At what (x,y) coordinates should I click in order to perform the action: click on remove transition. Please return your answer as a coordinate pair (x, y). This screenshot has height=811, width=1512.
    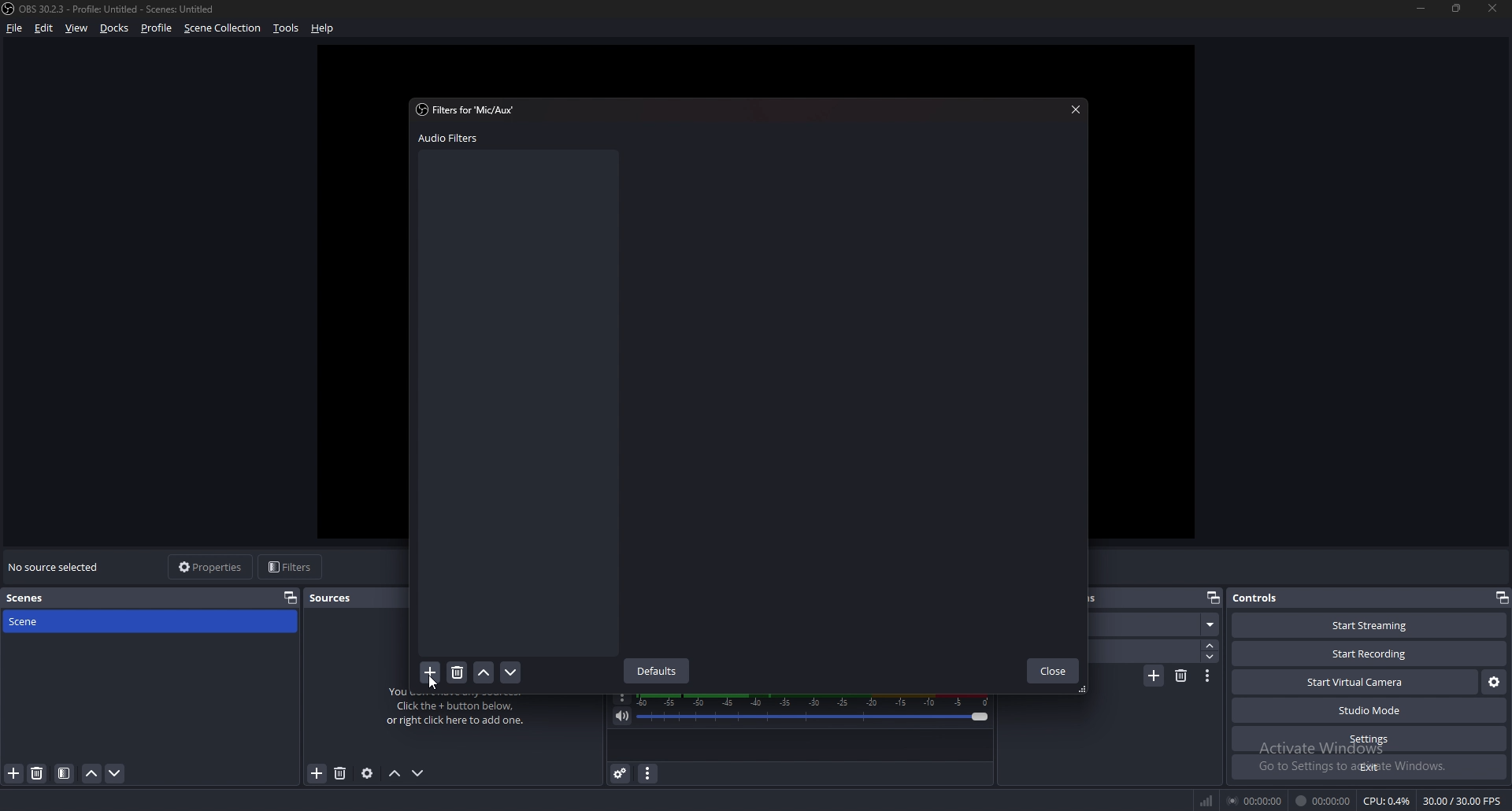
    Looking at the image, I should click on (1182, 678).